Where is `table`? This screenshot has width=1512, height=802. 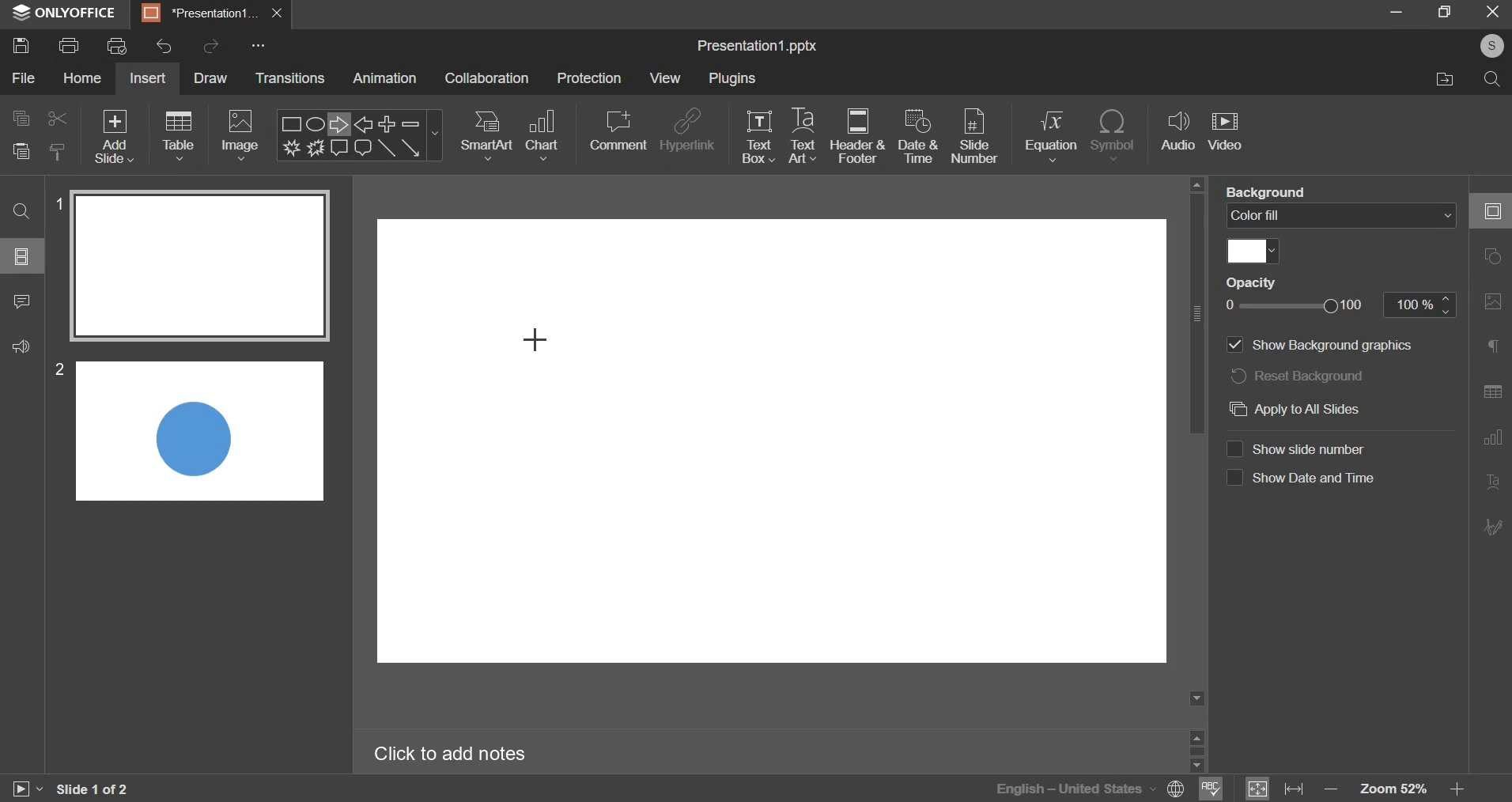 table is located at coordinates (178, 136).